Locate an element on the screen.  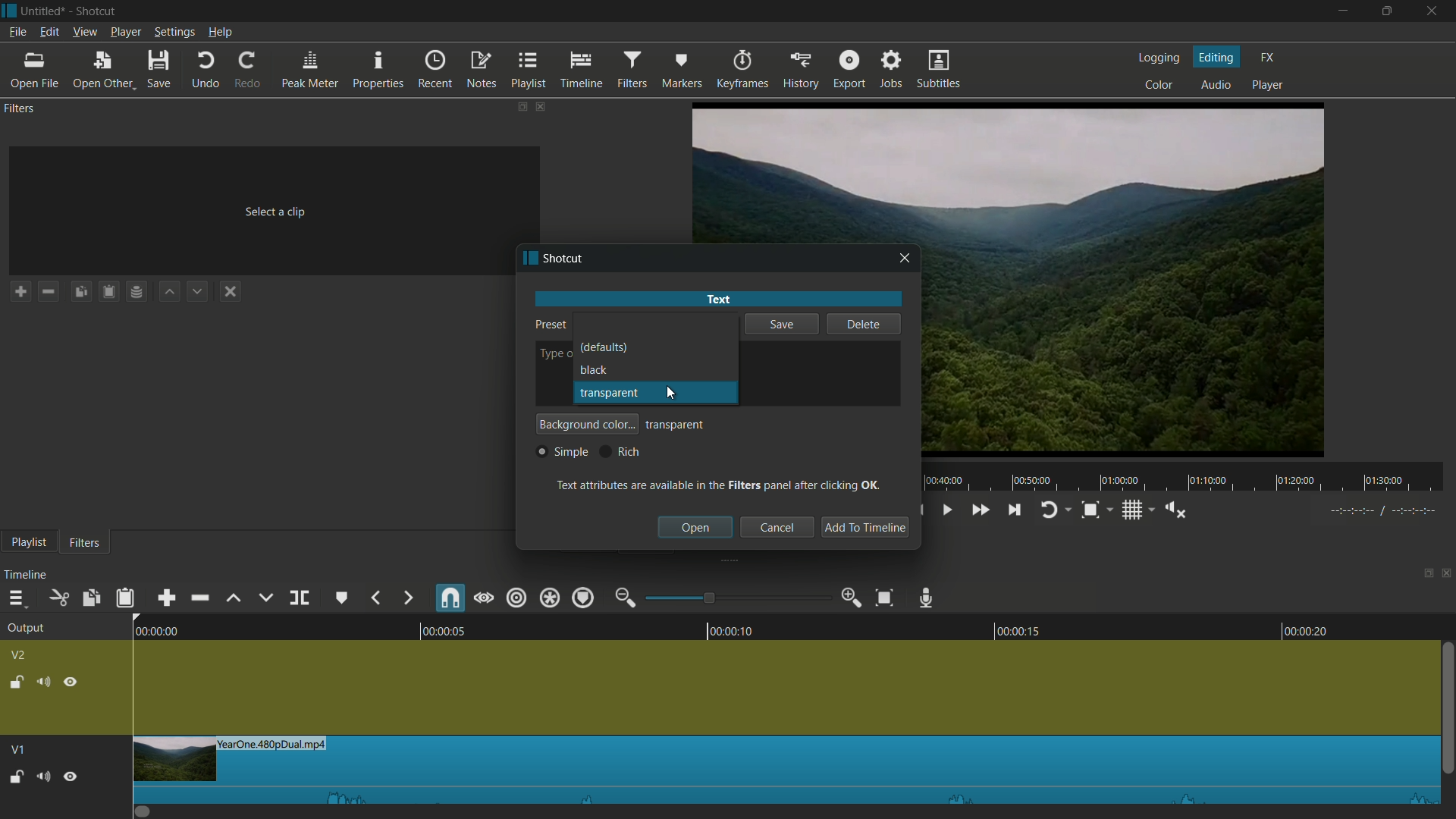
change layout is located at coordinates (521, 106).